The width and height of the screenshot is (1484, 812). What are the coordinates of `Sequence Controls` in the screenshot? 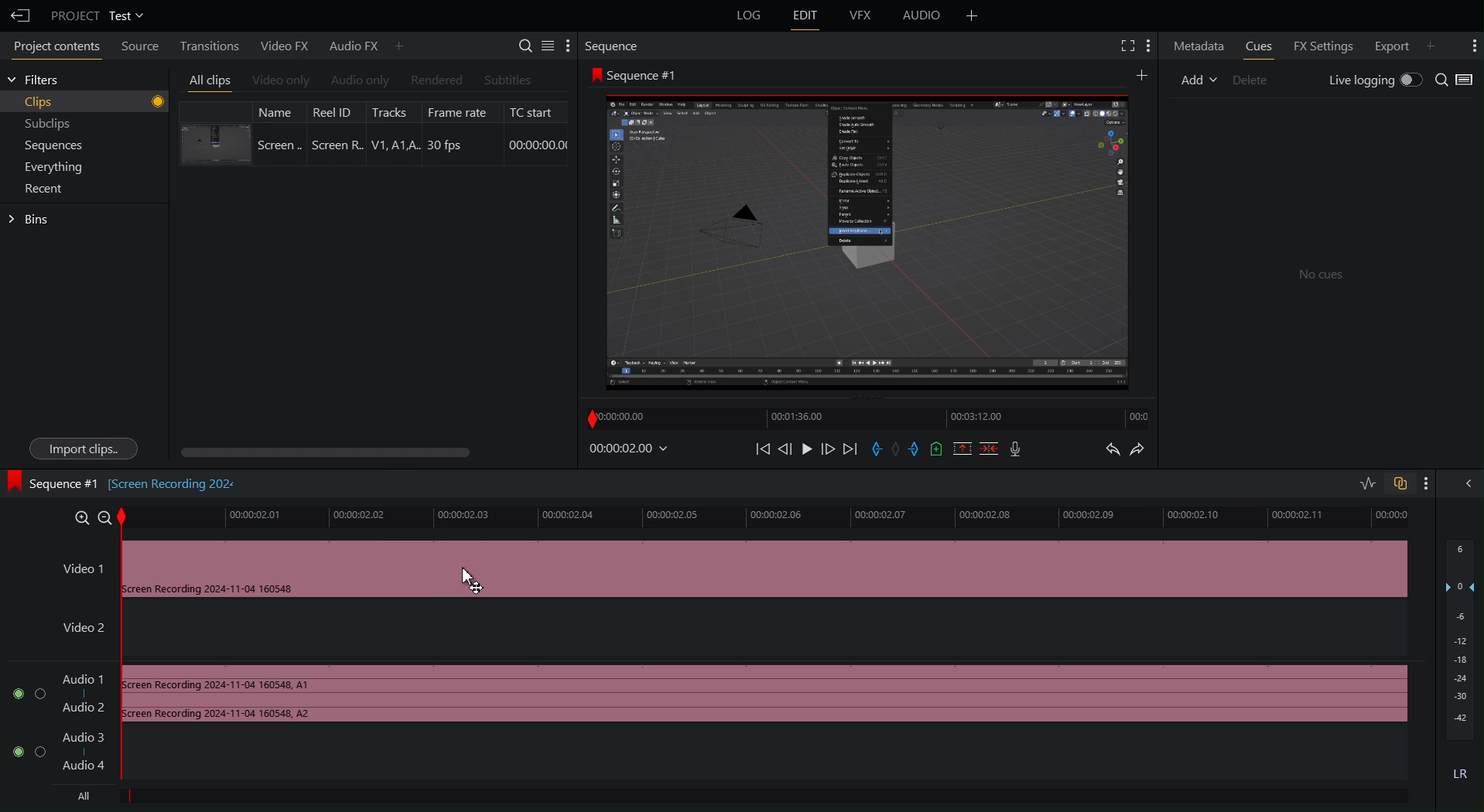 It's located at (888, 449).